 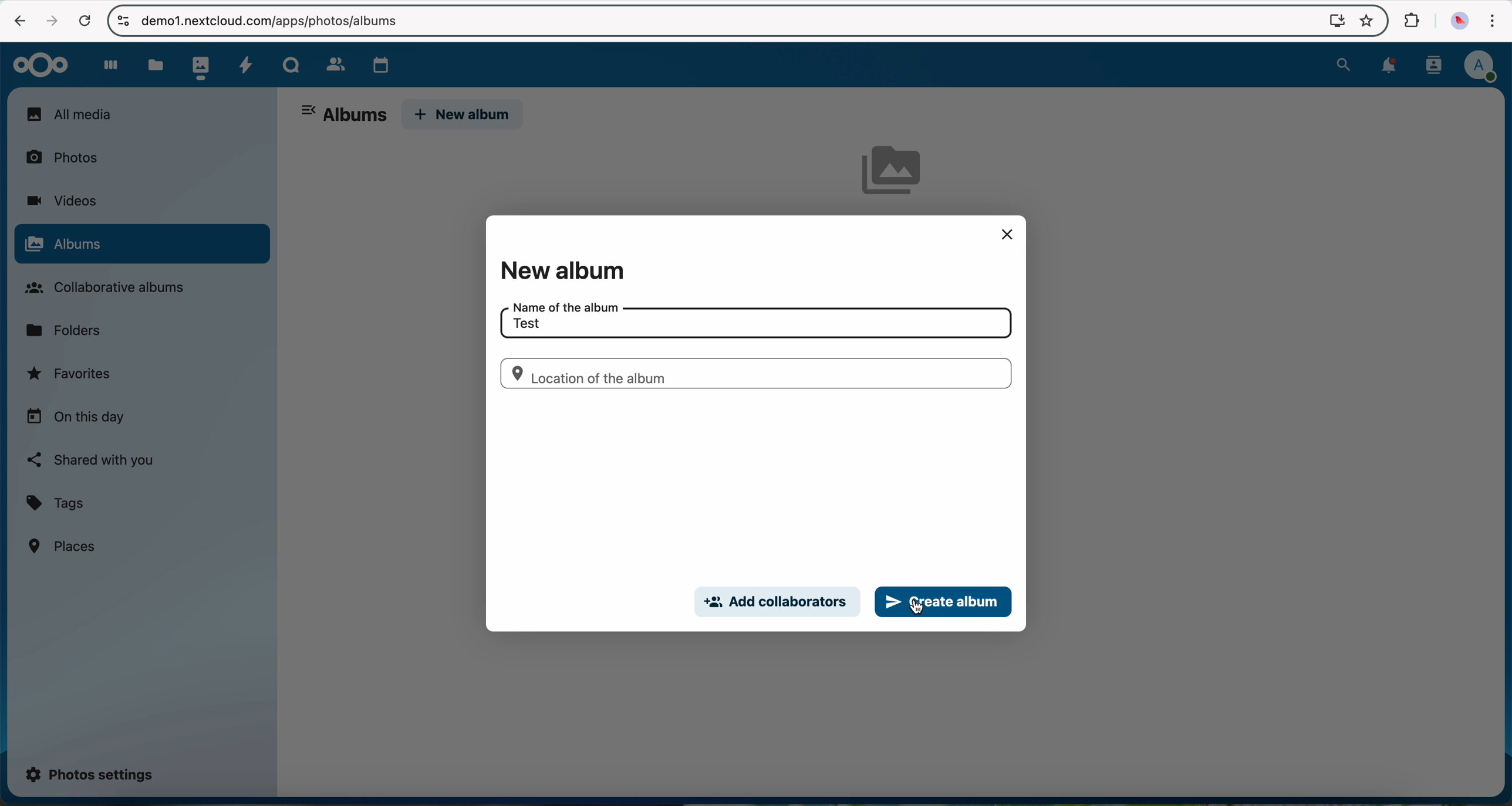 What do you see at coordinates (141, 245) in the screenshot?
I see `click on albums` at bounding box center [141, 245].